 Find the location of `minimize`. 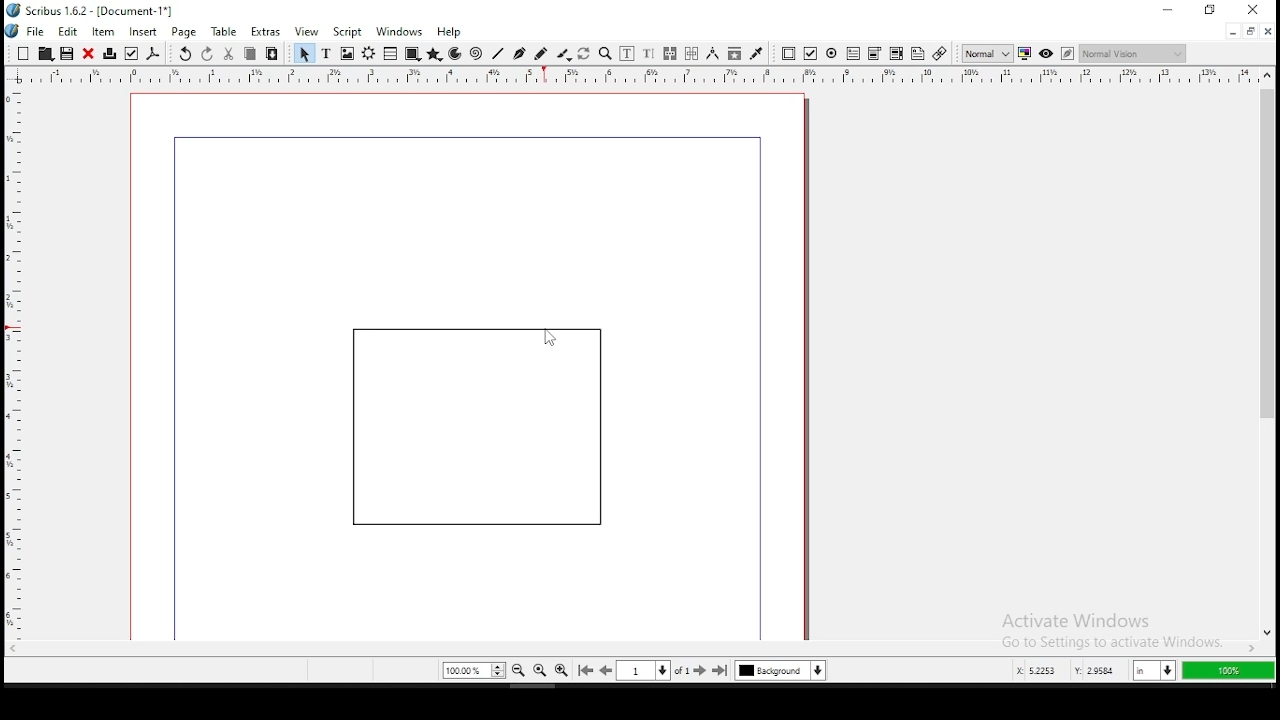

minimize is located at coordinates (1232, 33).